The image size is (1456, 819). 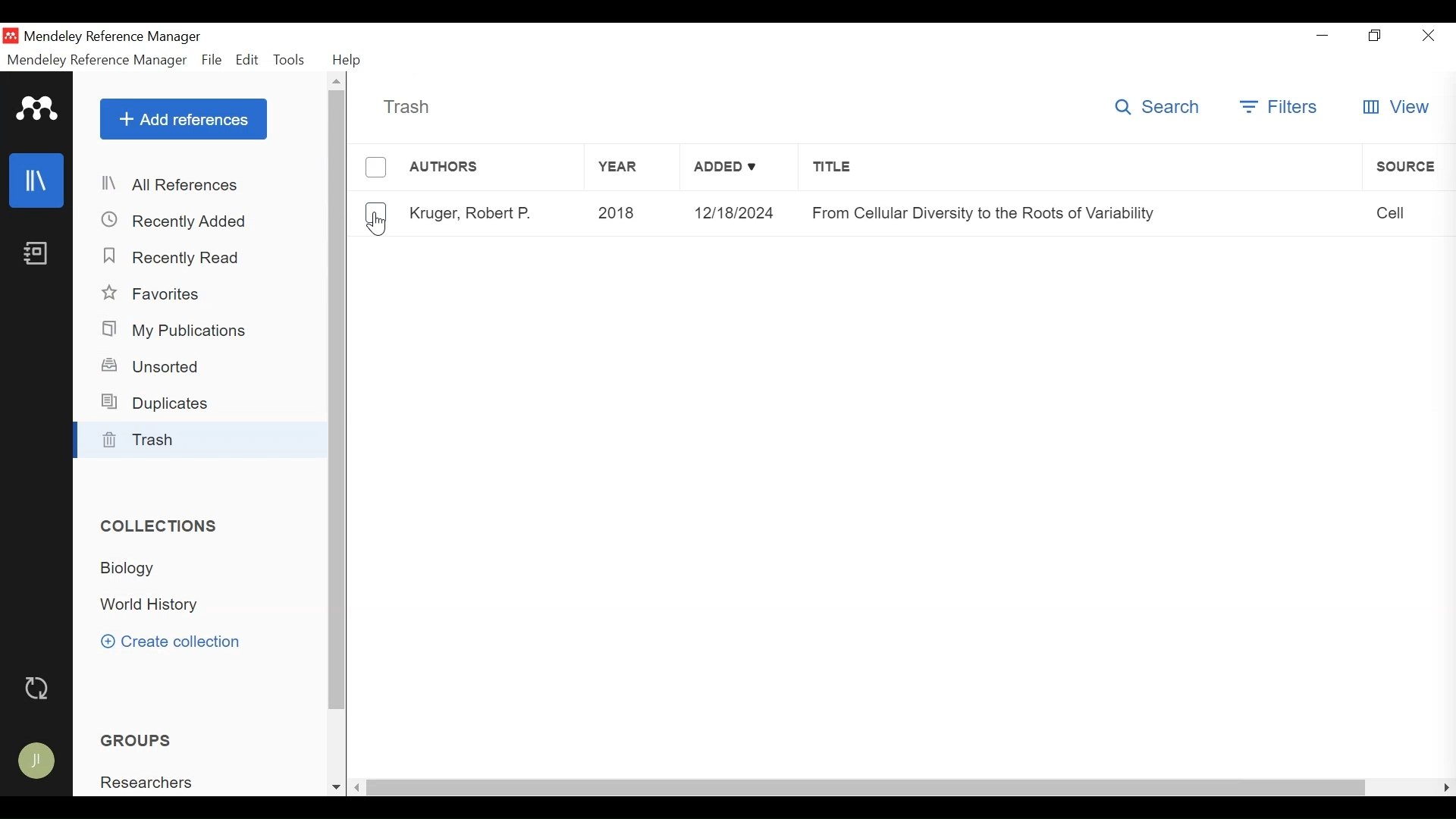 I want to click on All Reference, so click(x=202, y=186).